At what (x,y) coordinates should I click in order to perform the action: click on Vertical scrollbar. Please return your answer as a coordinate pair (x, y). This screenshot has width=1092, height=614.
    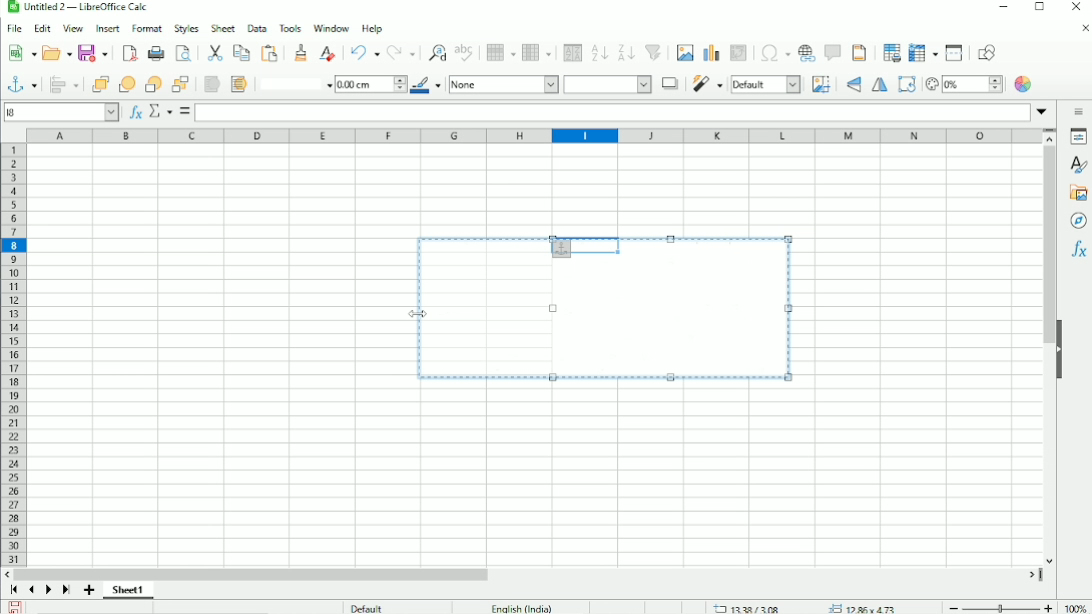
    Looking at the image, I should click on (1048, 246).